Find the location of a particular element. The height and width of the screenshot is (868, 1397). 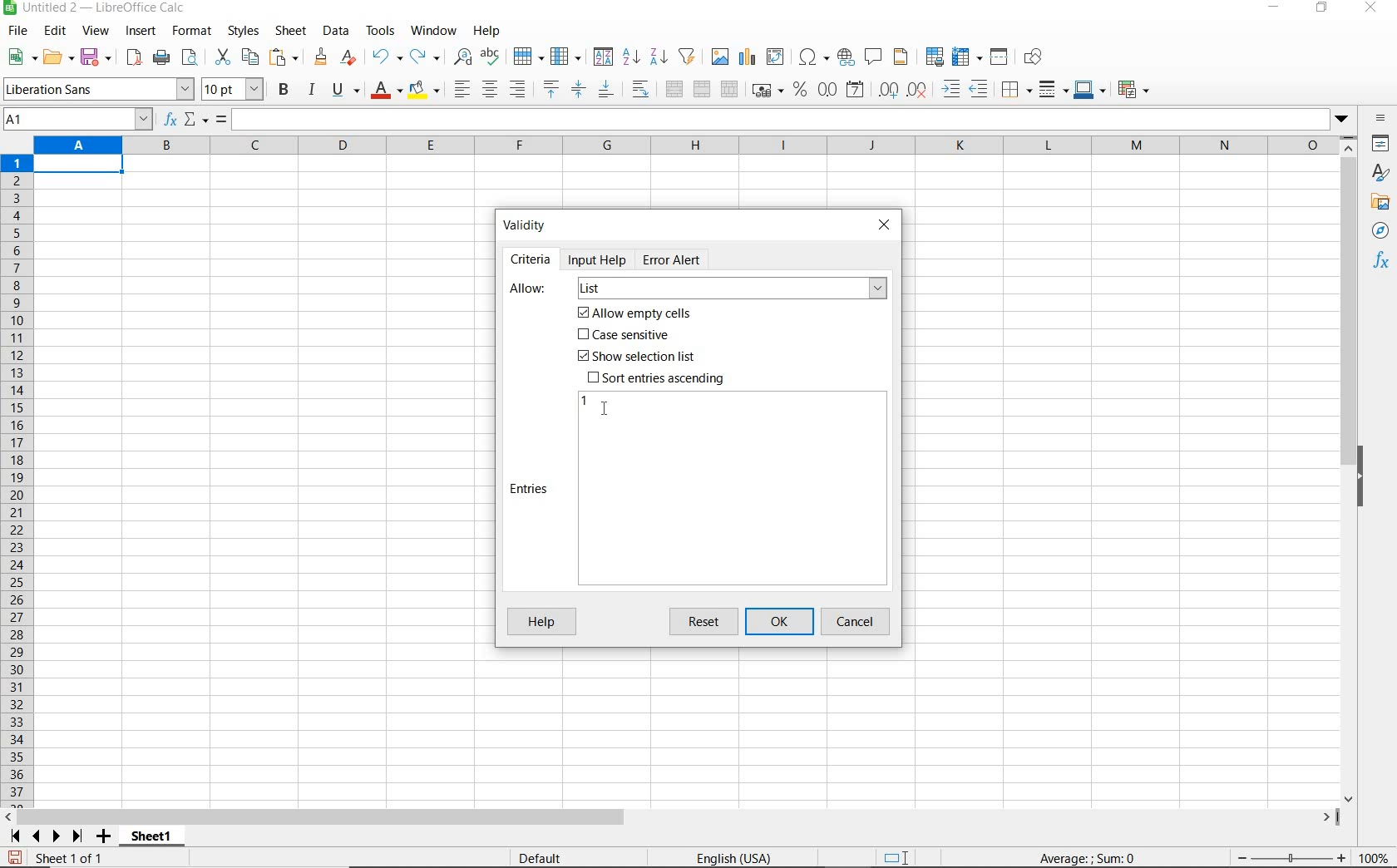

insert hyperlink is located at coordinates (846, 56).